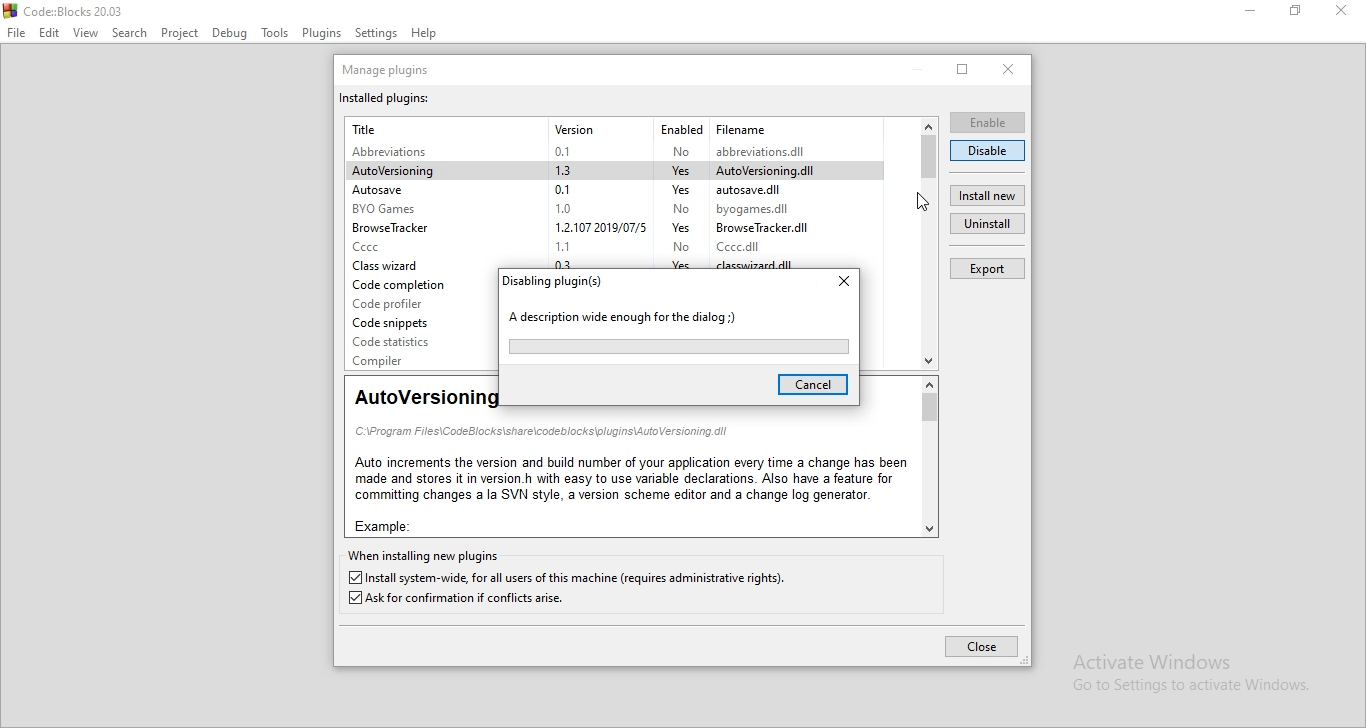 This screenshot has width=1366, height=728. I want to click on Vertical Scroll bar, so click(928, 157).